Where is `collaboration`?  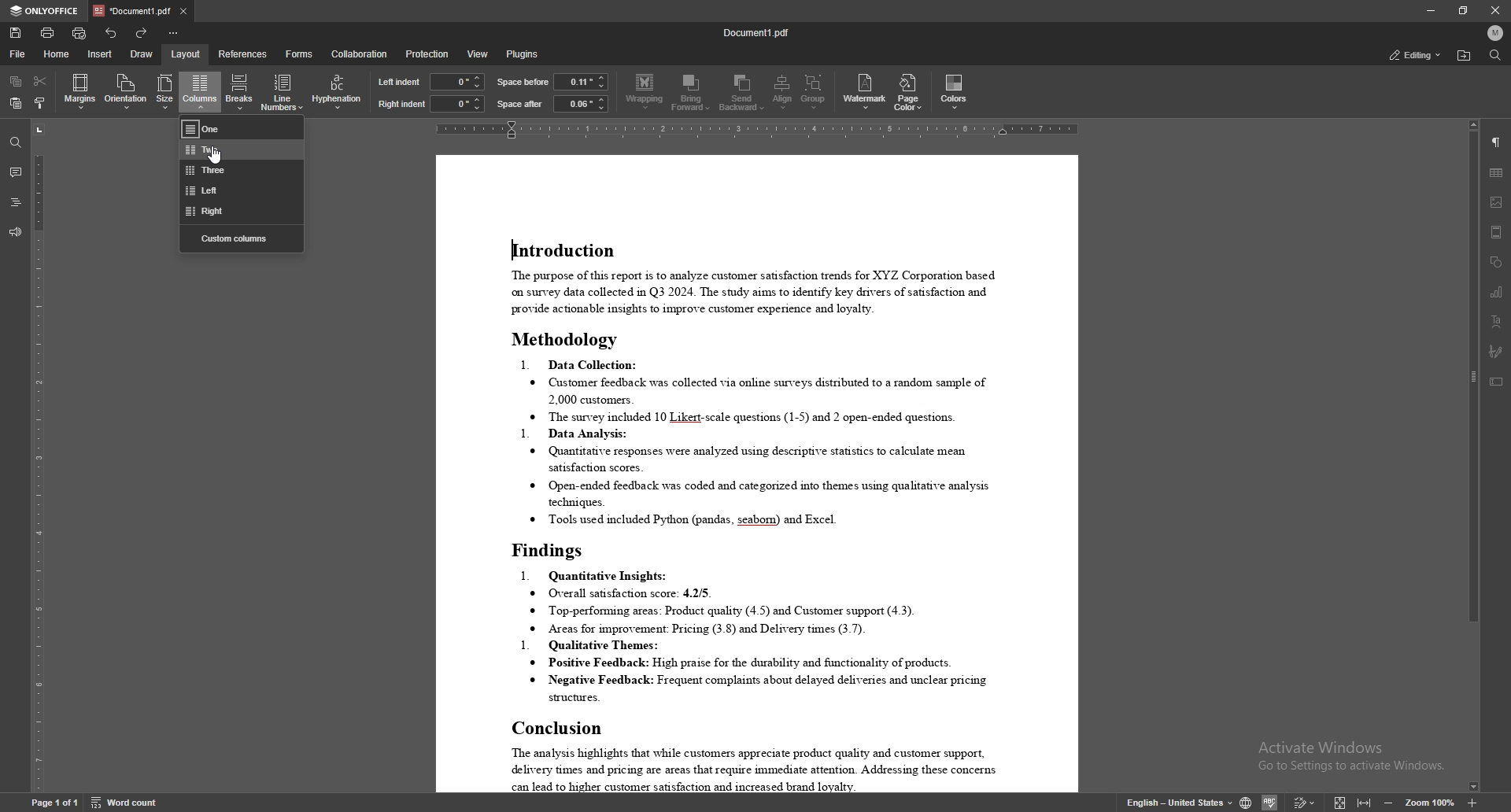
collaboration is located at coordinates (359, 54).